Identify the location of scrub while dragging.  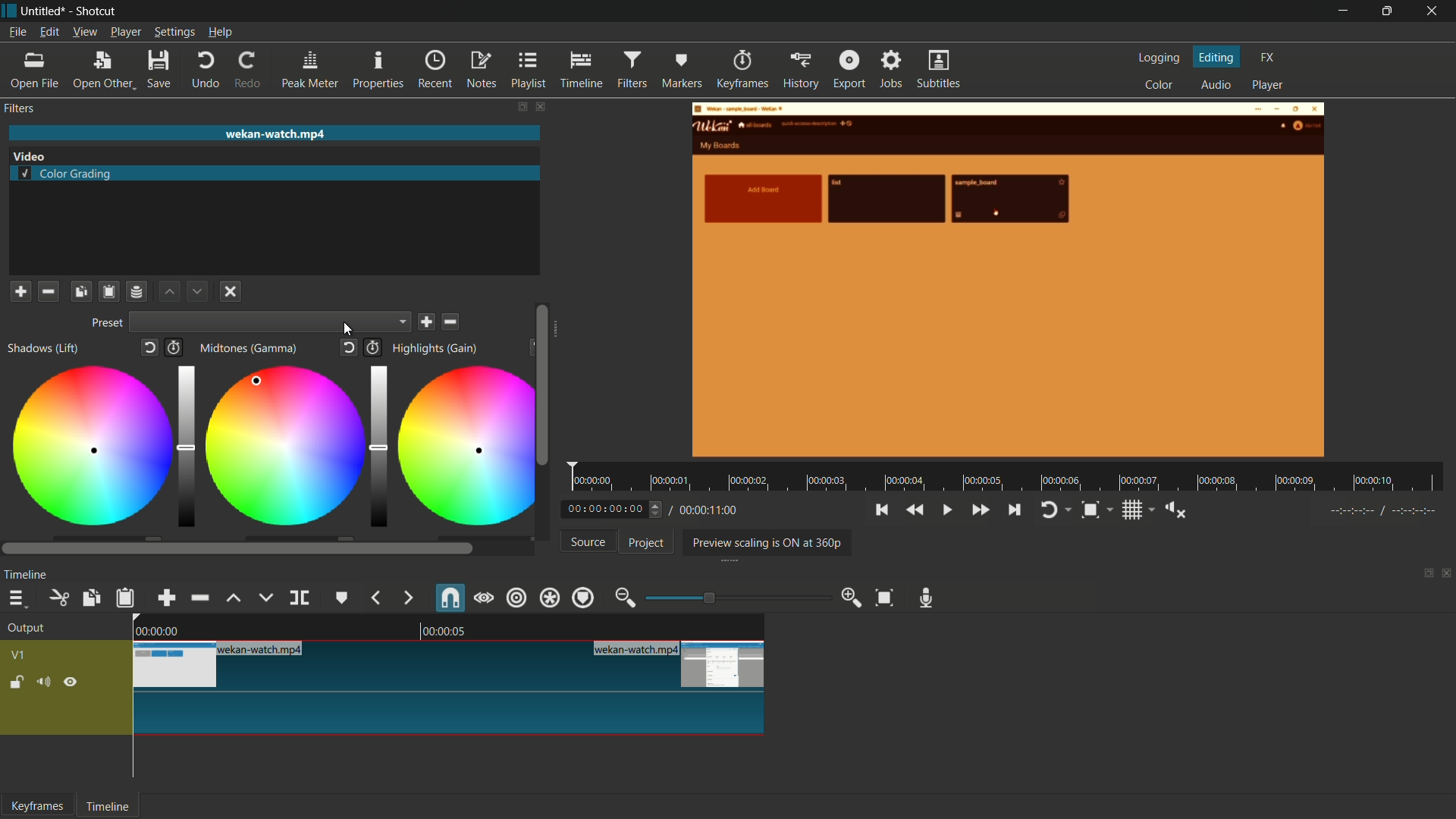
(483, 598).